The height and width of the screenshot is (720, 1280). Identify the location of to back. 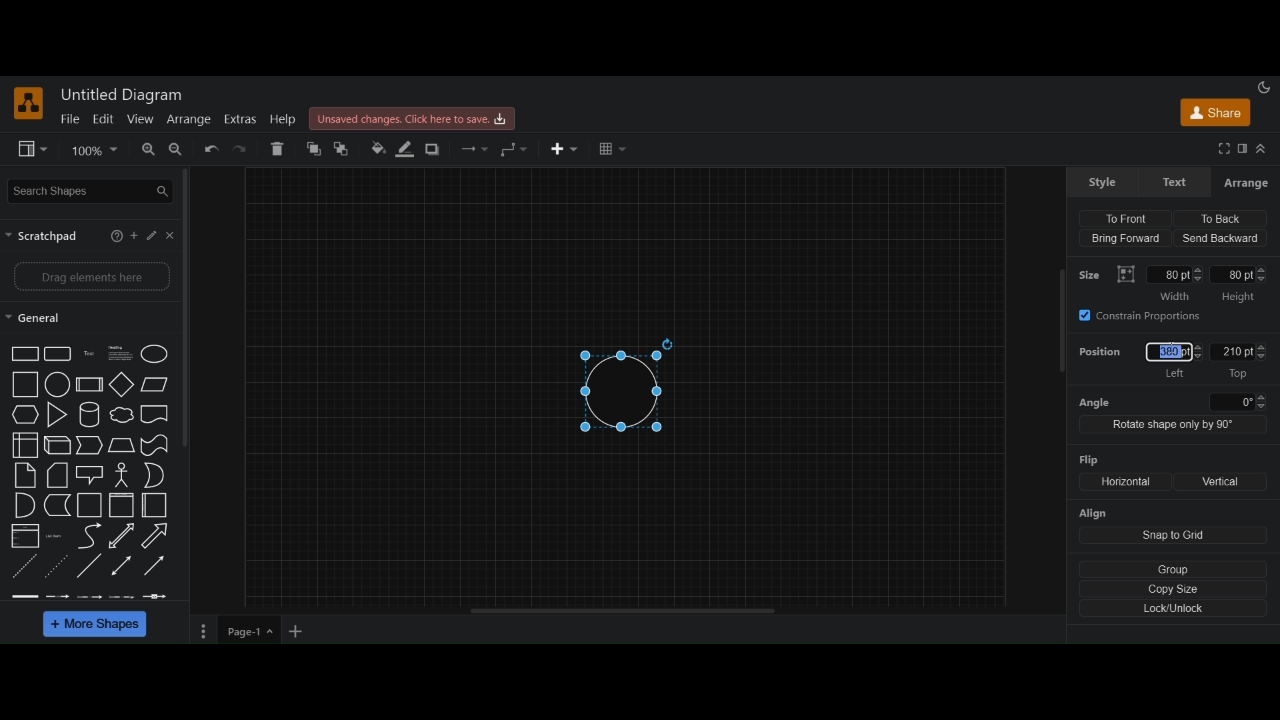
(1217, 217).